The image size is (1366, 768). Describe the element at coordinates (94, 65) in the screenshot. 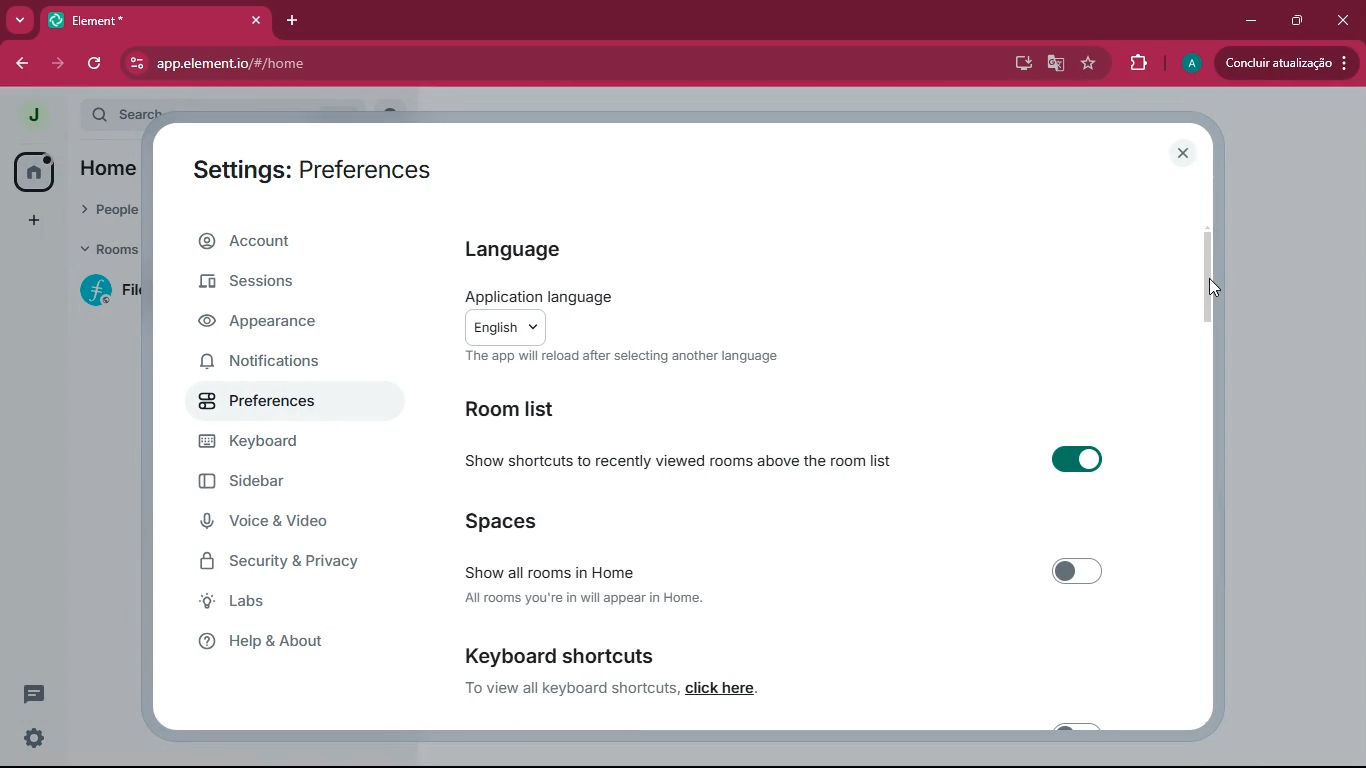

I see `refresh` at that location.